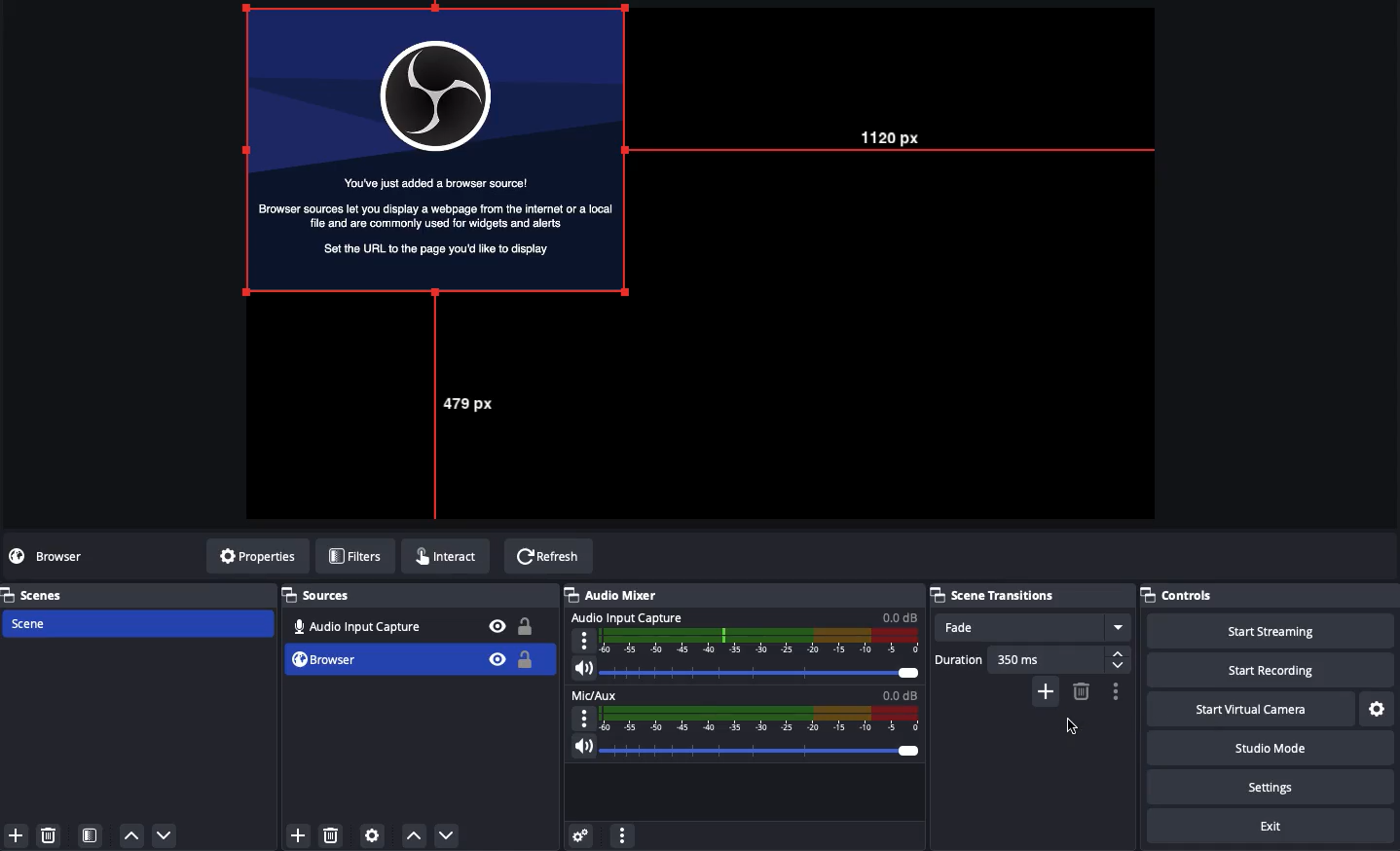  Describe the element at coordinates (52, 836) in the screenshot. I see `delete` at that location.